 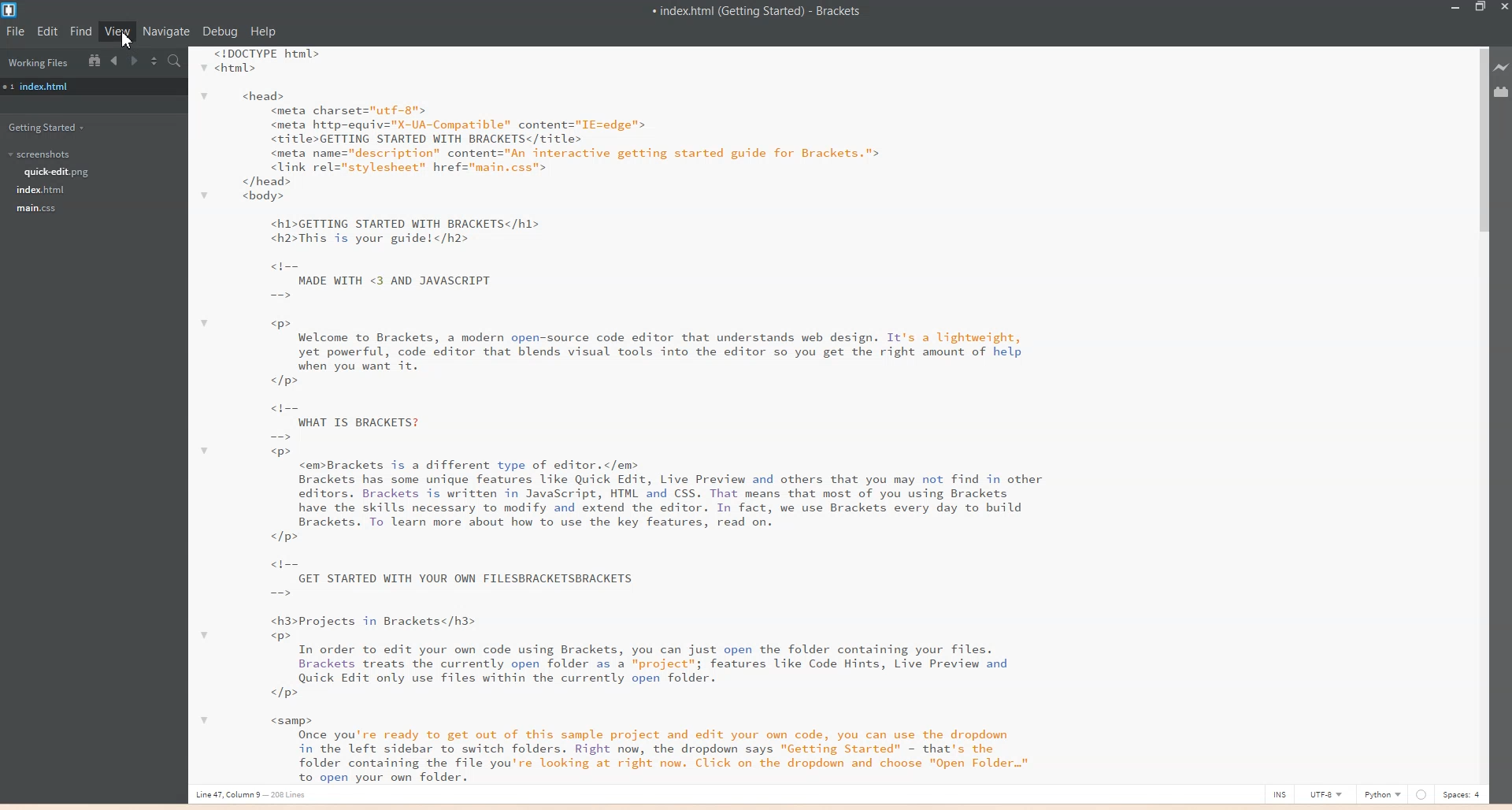 What do you see at coordinates (220, 32) in the screenshot?
I see `Debug` at bounding box center [220, 32].